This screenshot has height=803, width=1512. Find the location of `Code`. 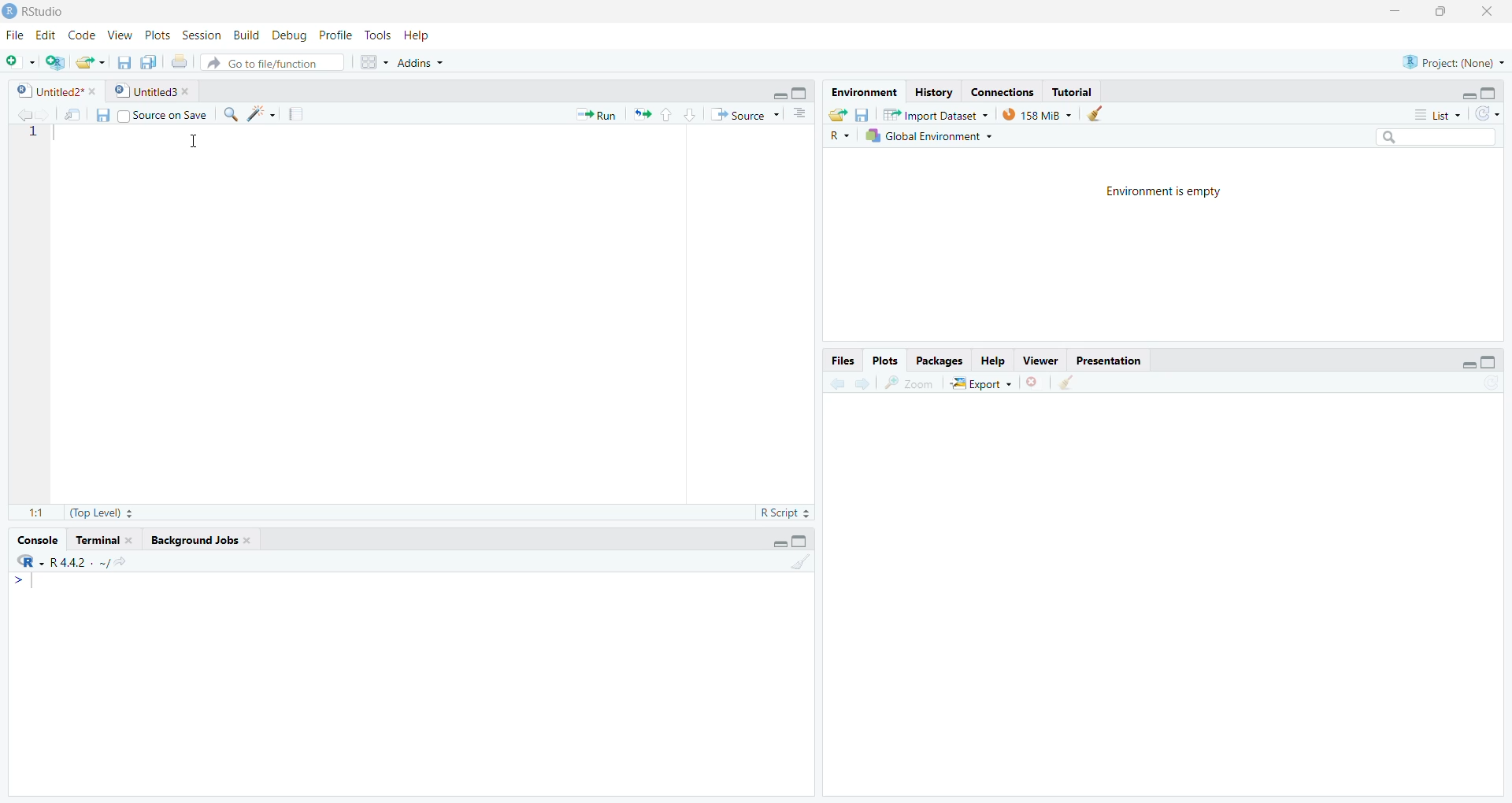

Code is located at coordinates (81, 35).